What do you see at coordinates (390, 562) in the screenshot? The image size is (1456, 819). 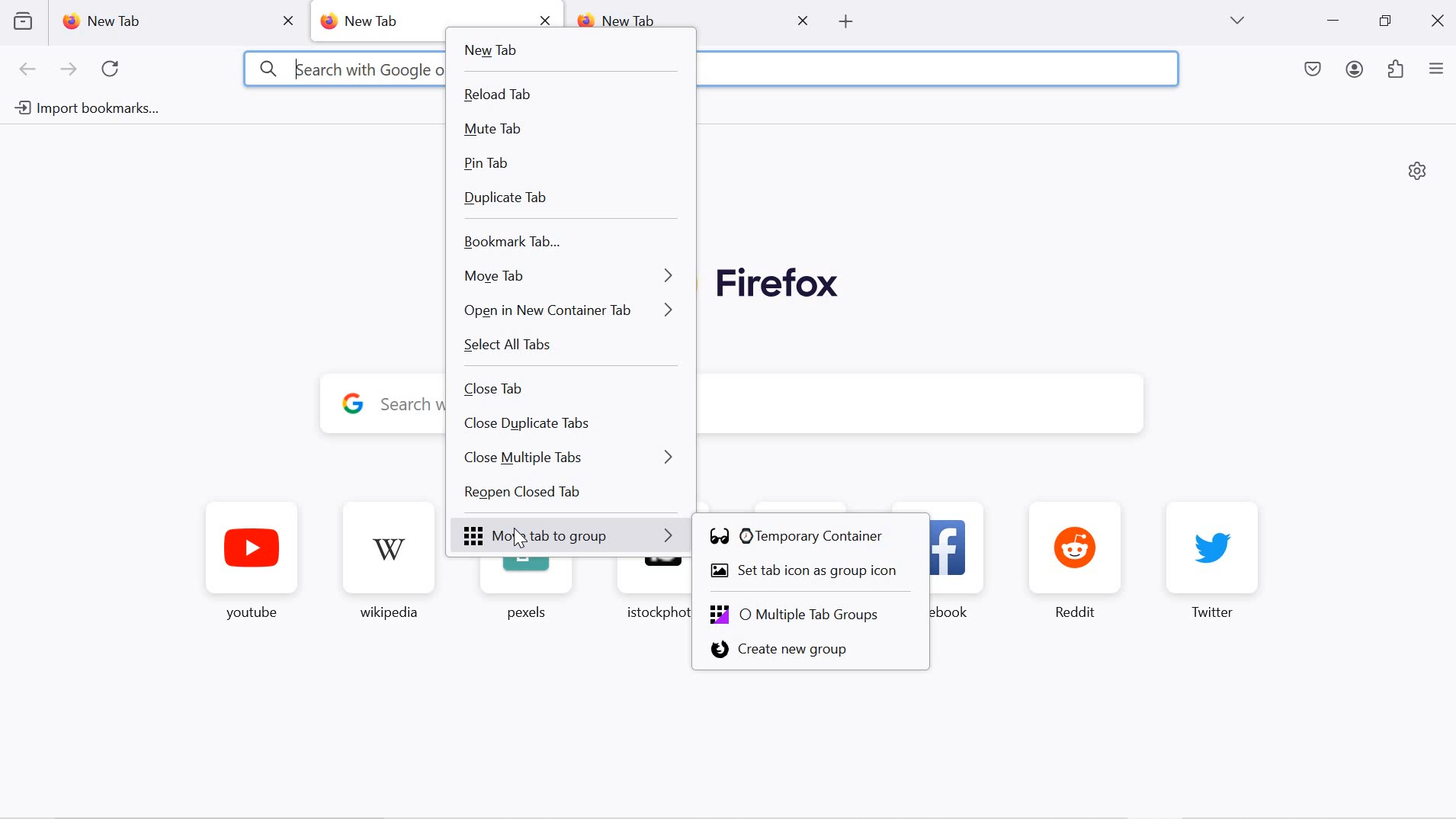 I see `wikipedia` at bounding box center [390, 562].